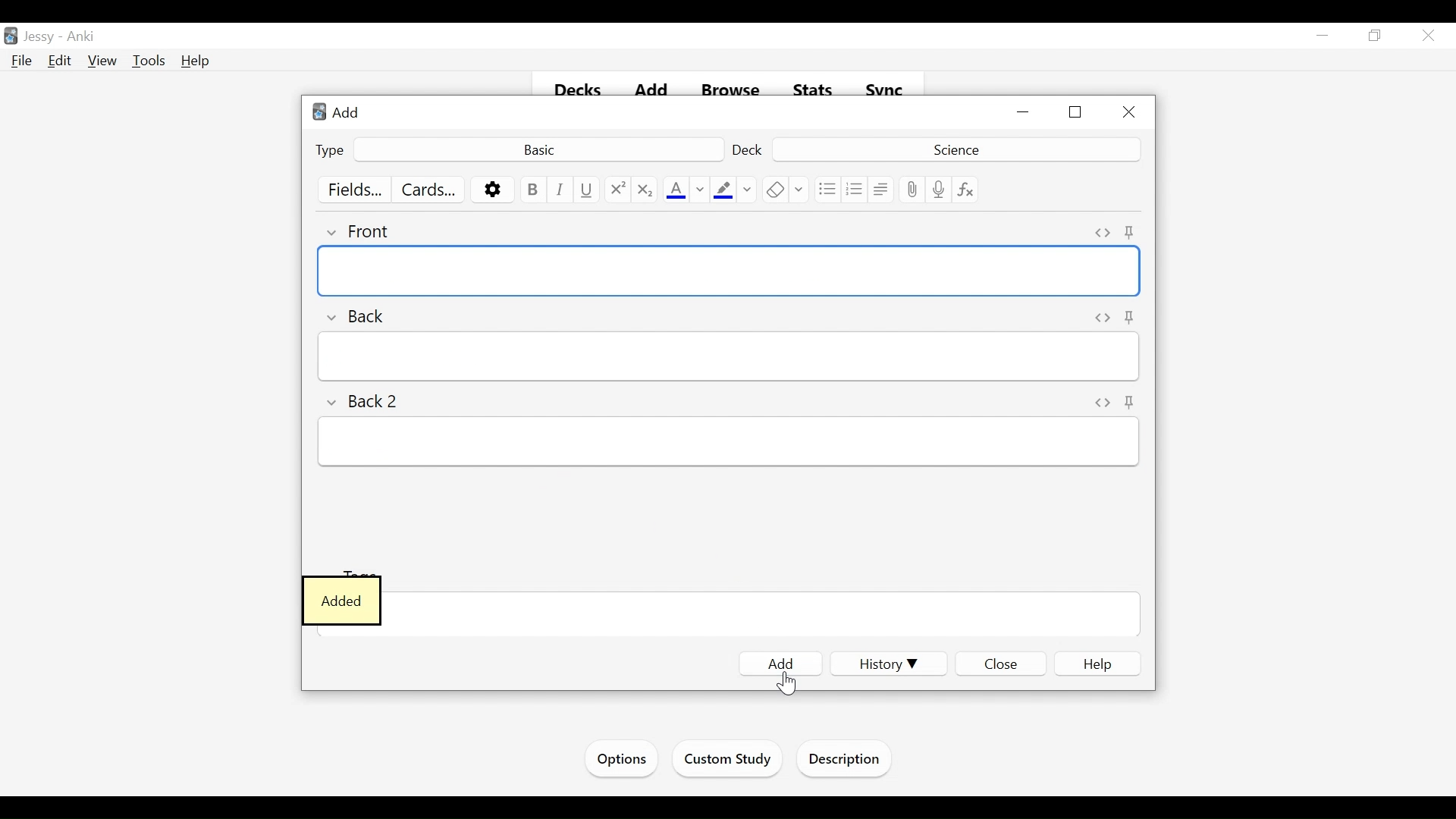 The height and width of the screenshot is (819, 1456). Describe the element at coordinates (429, 190) in the screenshot. I see `Customize Cards Template` at that location.